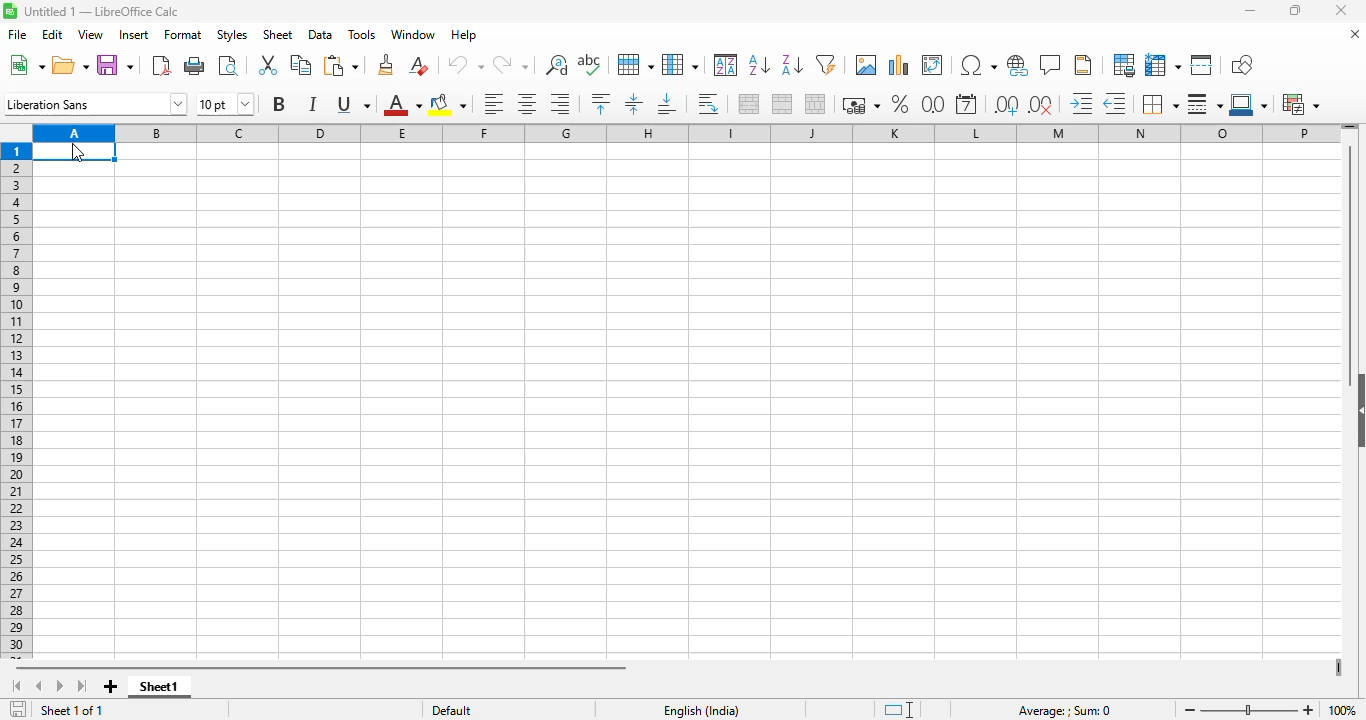 The width and height of the screenshot is (1366, 720). I want to click on format as number, so click(933, 103).